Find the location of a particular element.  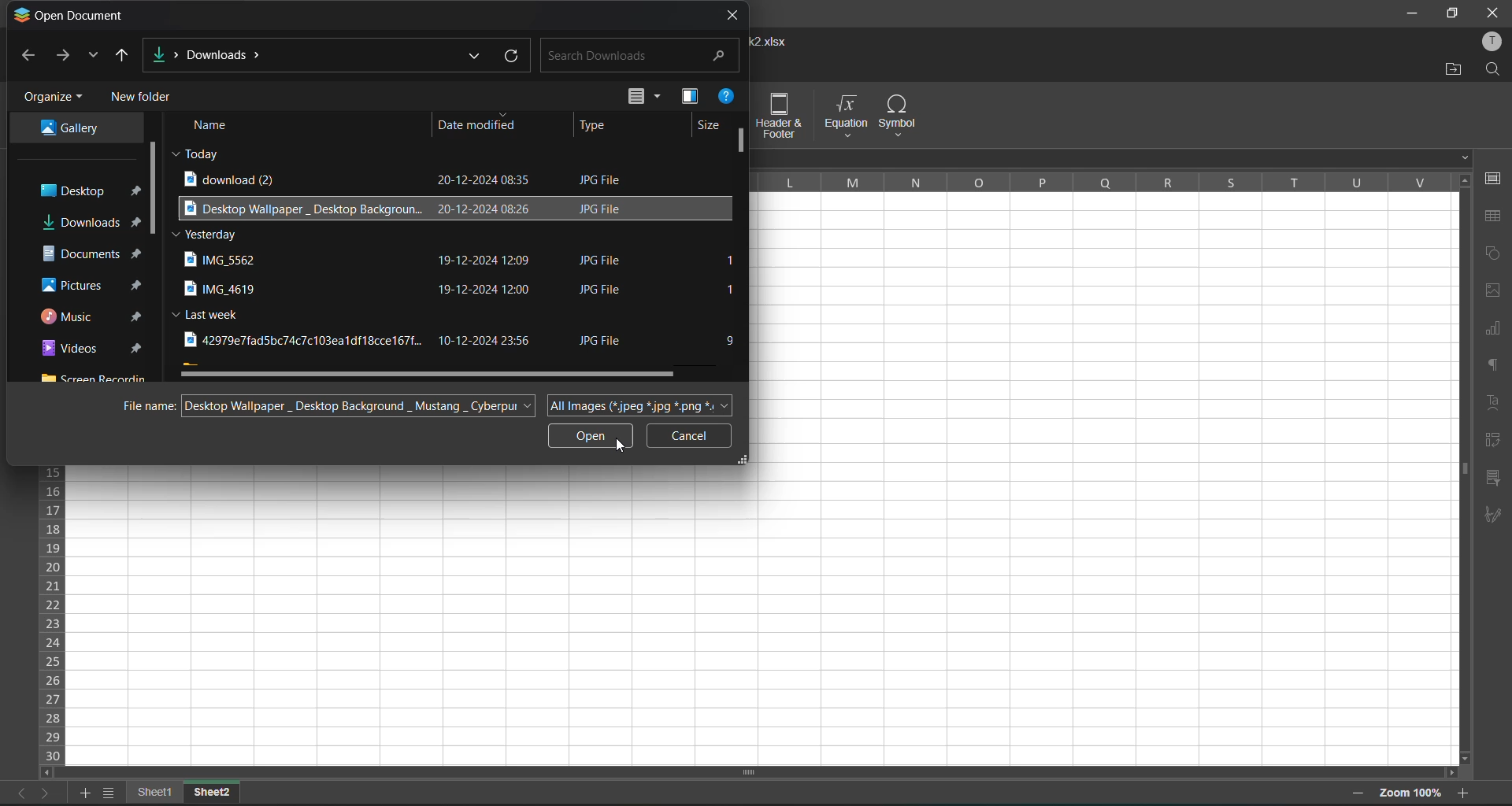

type is located at coordinates (595, 126).